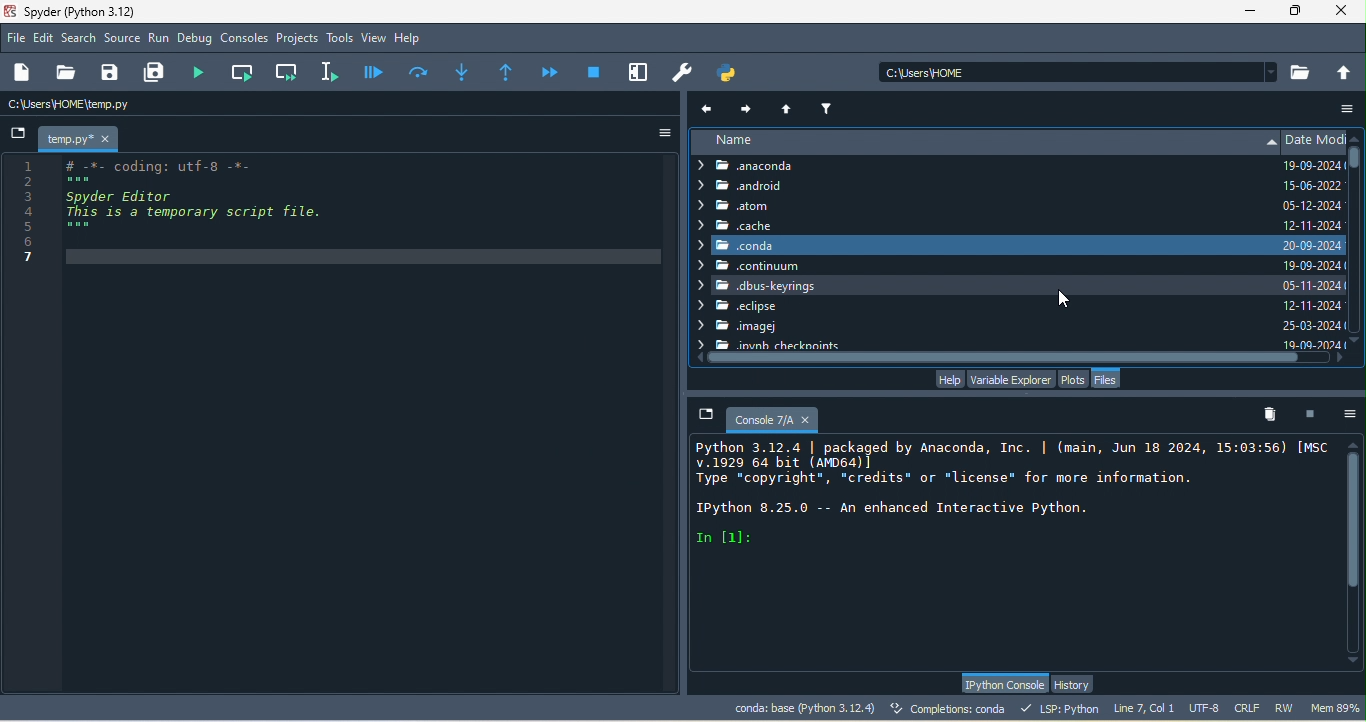 This screenshot has width=1366, height=722. What do you see at coordinates (747, 244) in the screenshot?
I see `conda` at bounding box center [747, 244].